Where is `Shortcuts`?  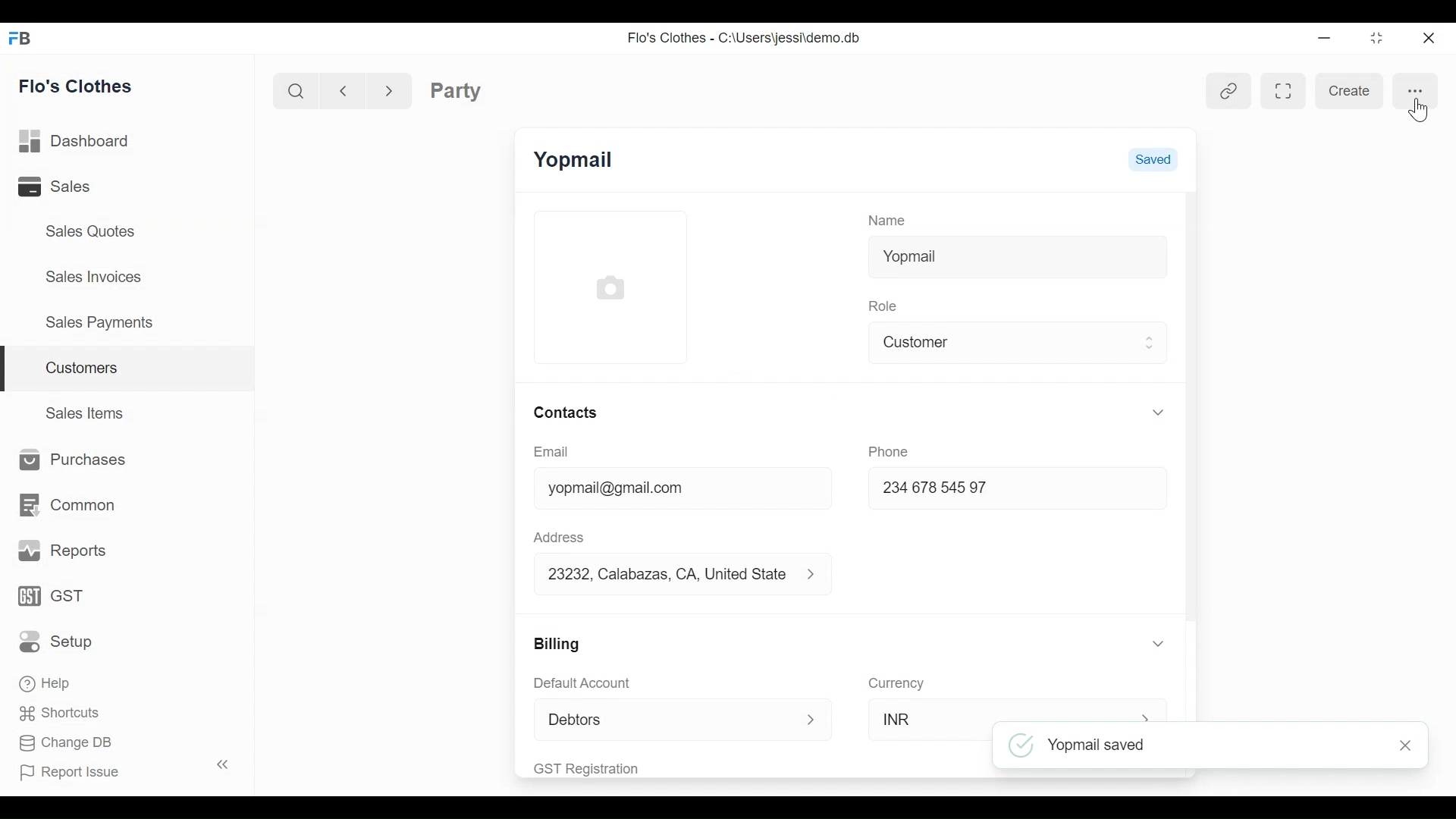 Shortcuts is located at coordinates (55, 712).